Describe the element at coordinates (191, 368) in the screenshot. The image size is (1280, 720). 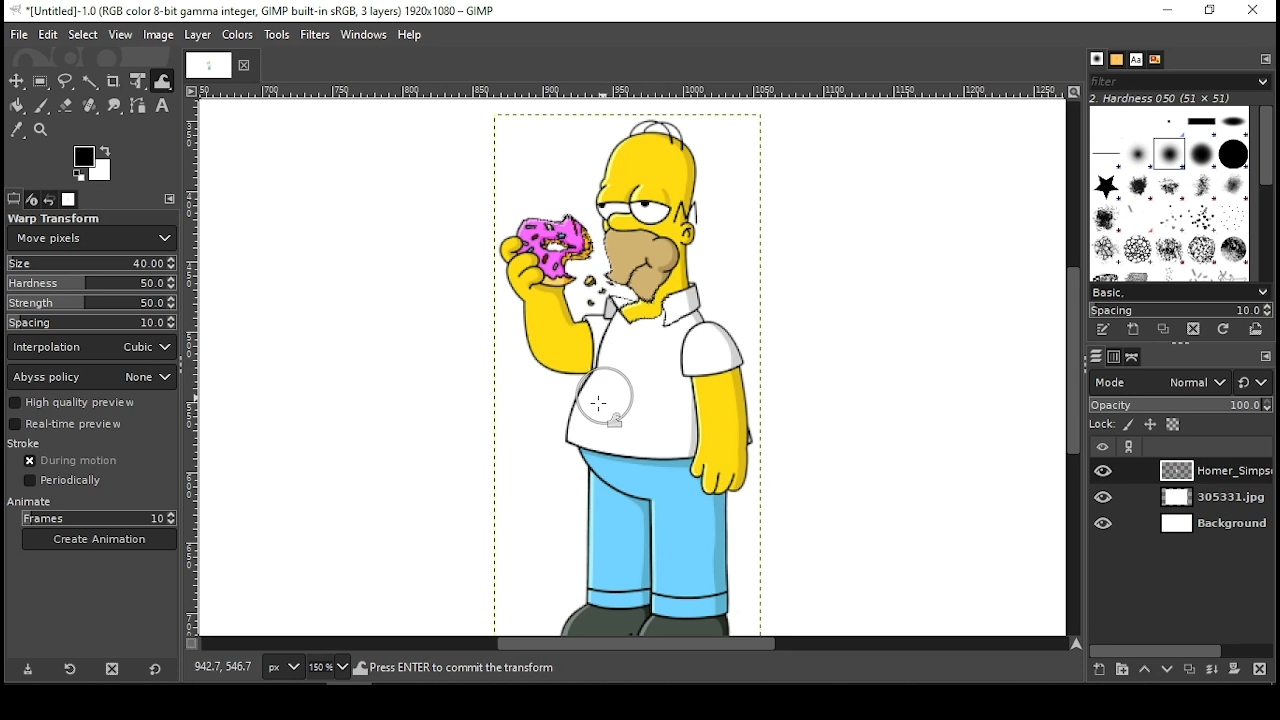
I see `vertical scale` at that location.